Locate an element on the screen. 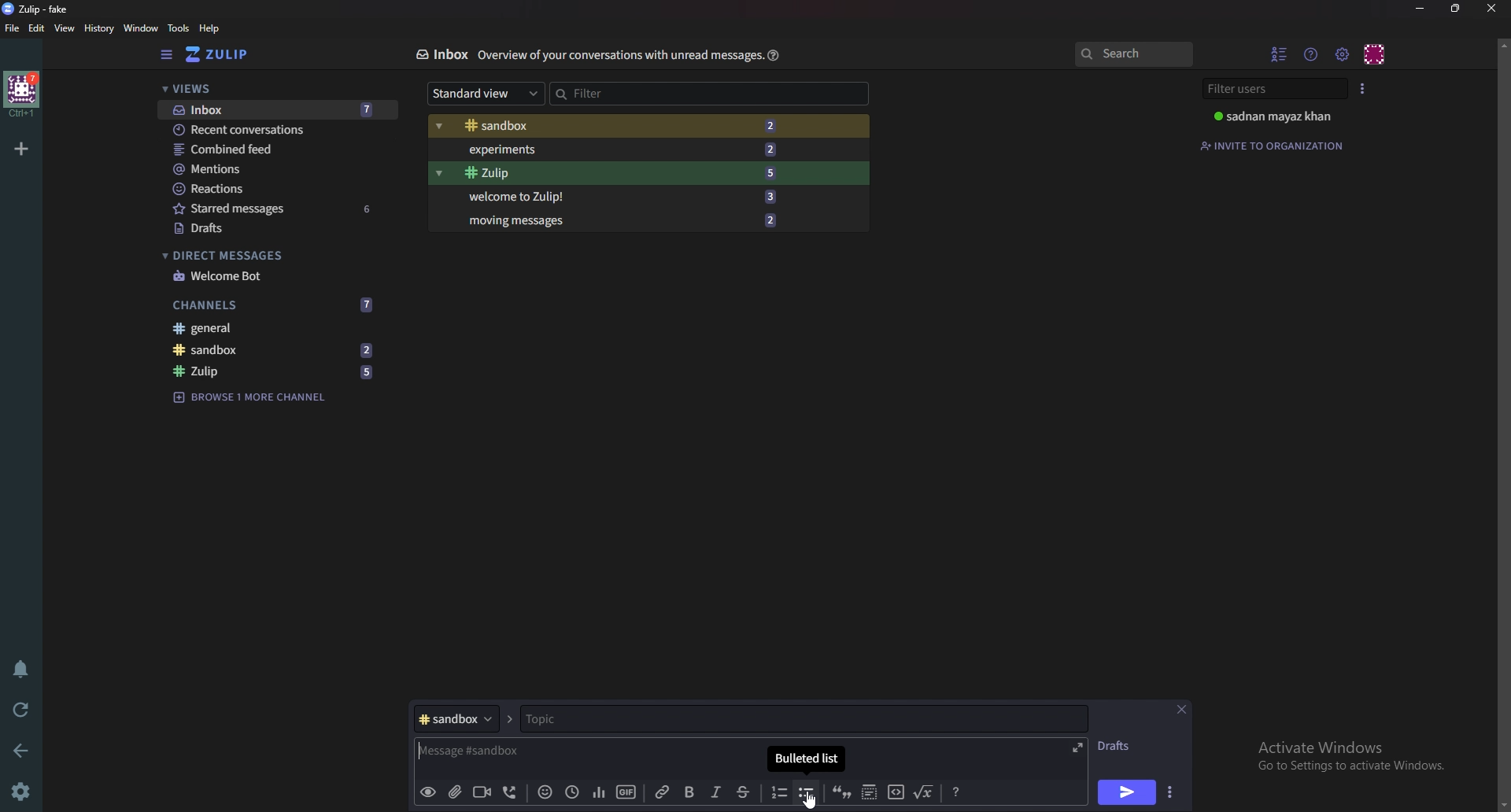 The image size is (1511, 812). personal menu is located at coordinates (1376, 54).